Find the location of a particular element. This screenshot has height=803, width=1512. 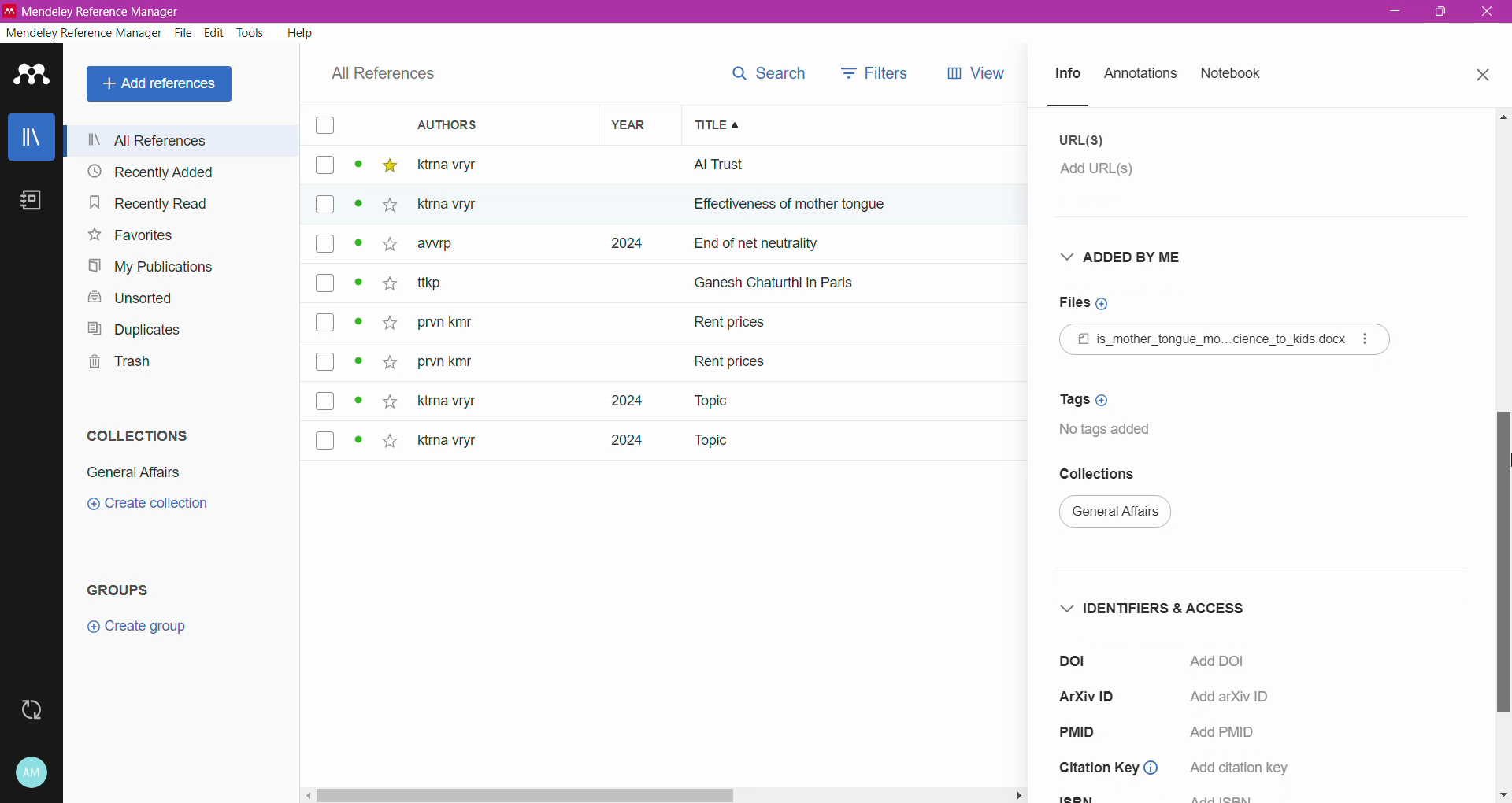

Year is located at coordinates (633, 124).